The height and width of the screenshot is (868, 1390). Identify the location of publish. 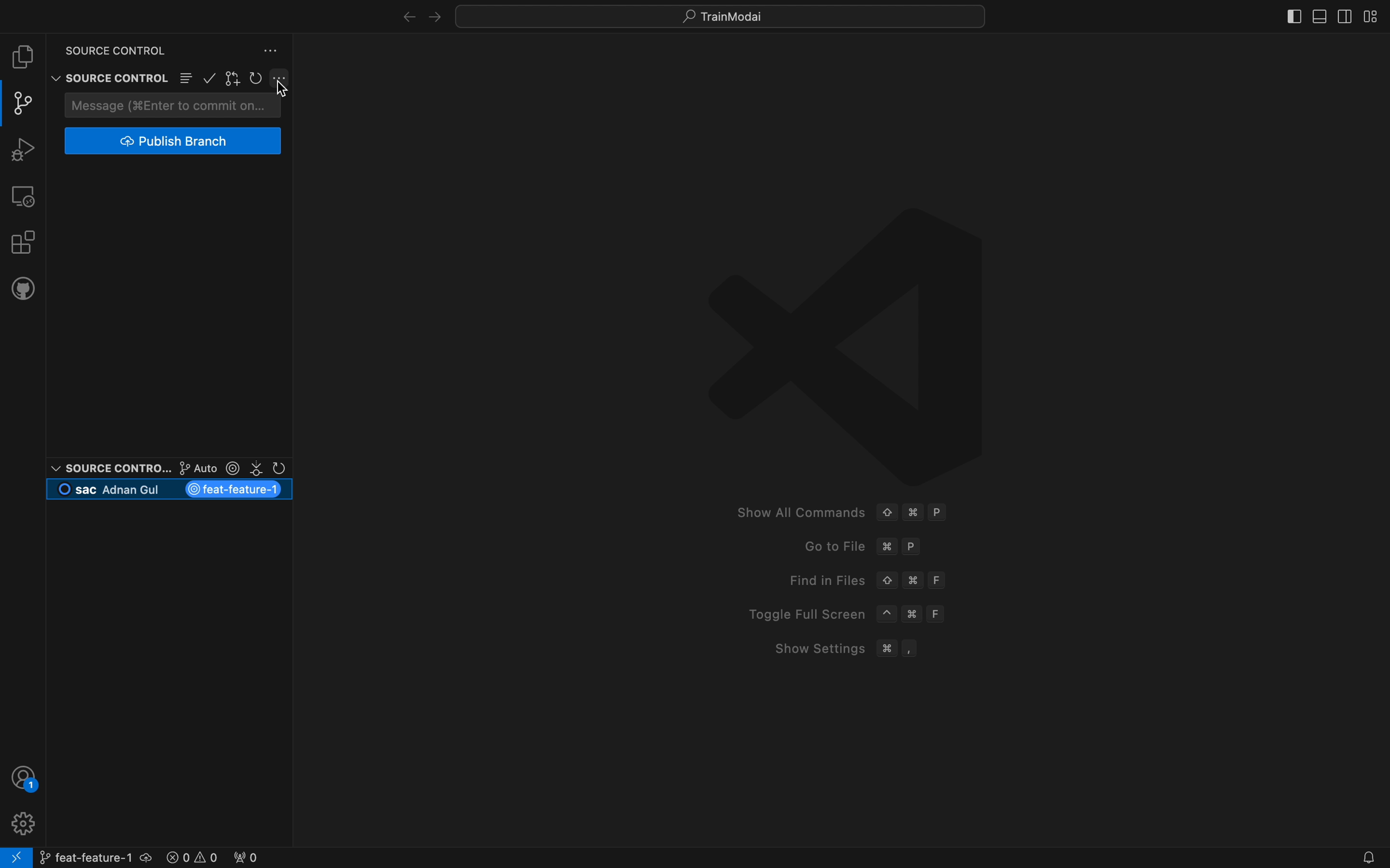
(175, 141).